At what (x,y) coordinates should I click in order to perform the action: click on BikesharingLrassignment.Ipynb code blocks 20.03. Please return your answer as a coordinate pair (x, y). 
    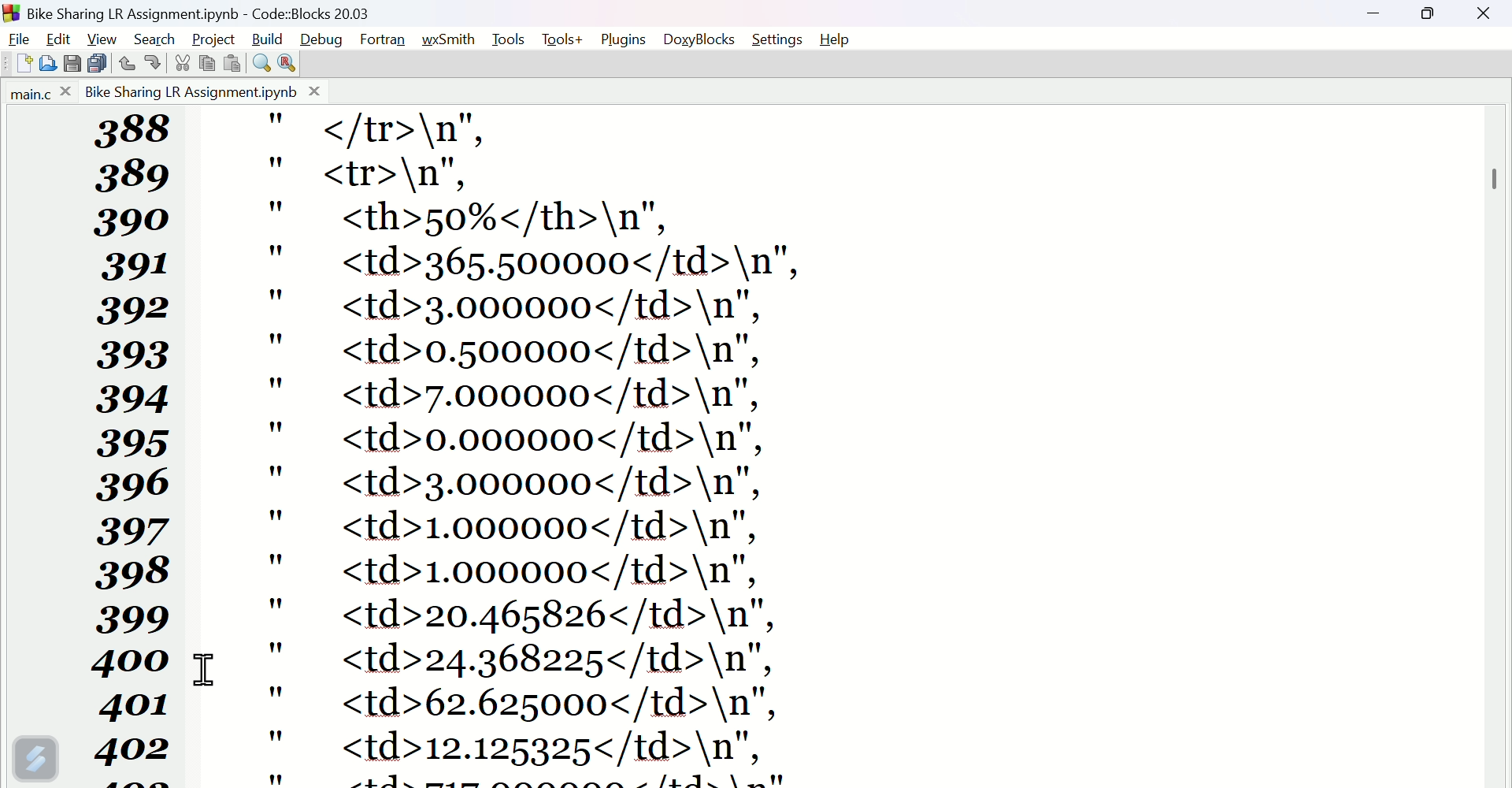
    Looking at the image, I should click on (231, 11).